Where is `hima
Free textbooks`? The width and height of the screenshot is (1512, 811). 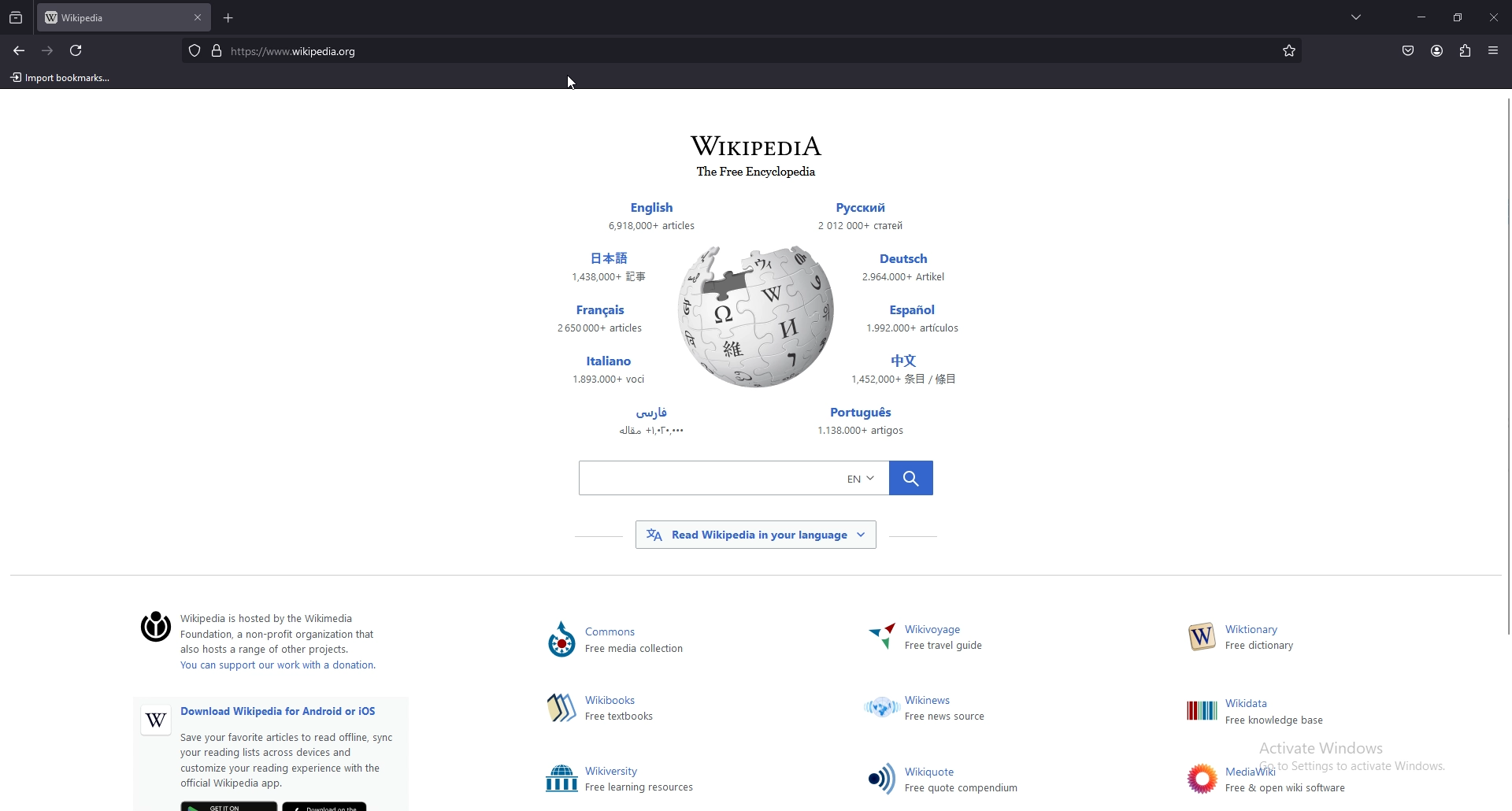
hima
Free textbooks is located at coordinates (623, 709).